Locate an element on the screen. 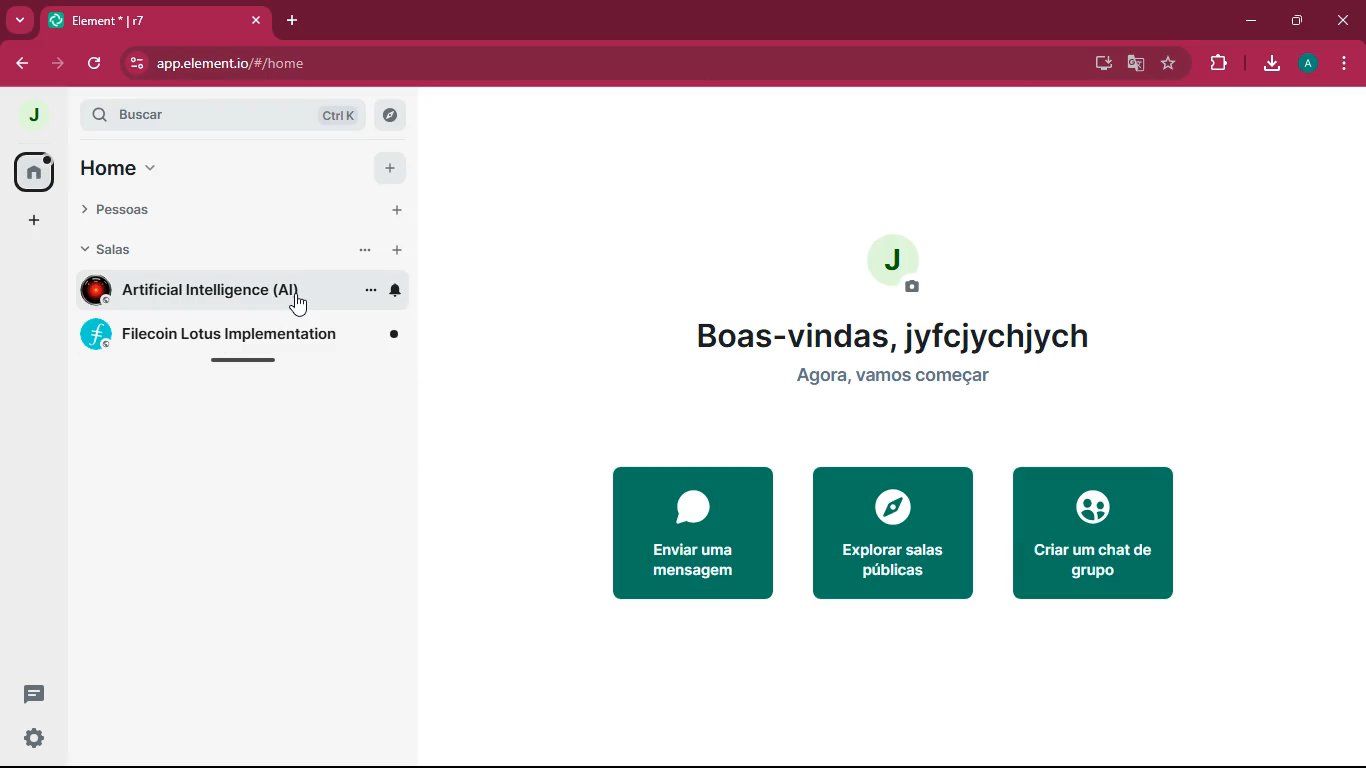  app.element.io/#/home is located at coordinates (326, 64).